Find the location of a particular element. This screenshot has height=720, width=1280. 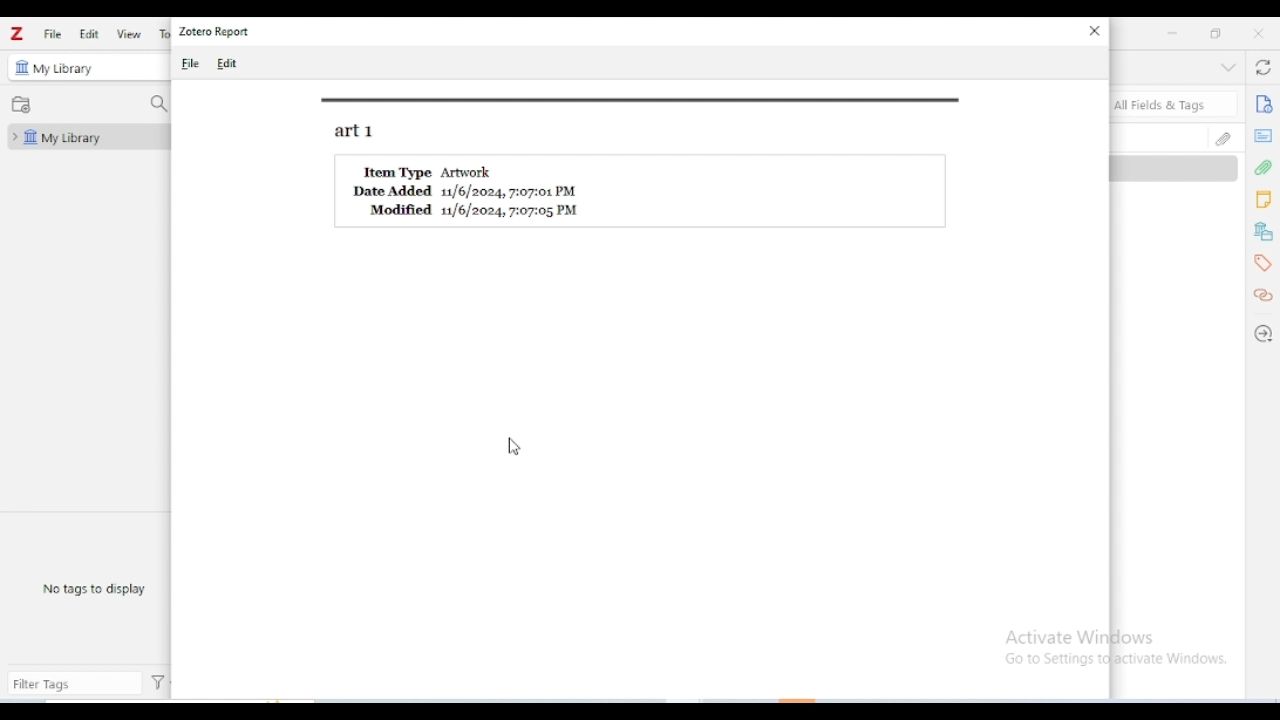

Modified 11/6/2024, 7:07:05 PM is located at coordinates (475, 210).